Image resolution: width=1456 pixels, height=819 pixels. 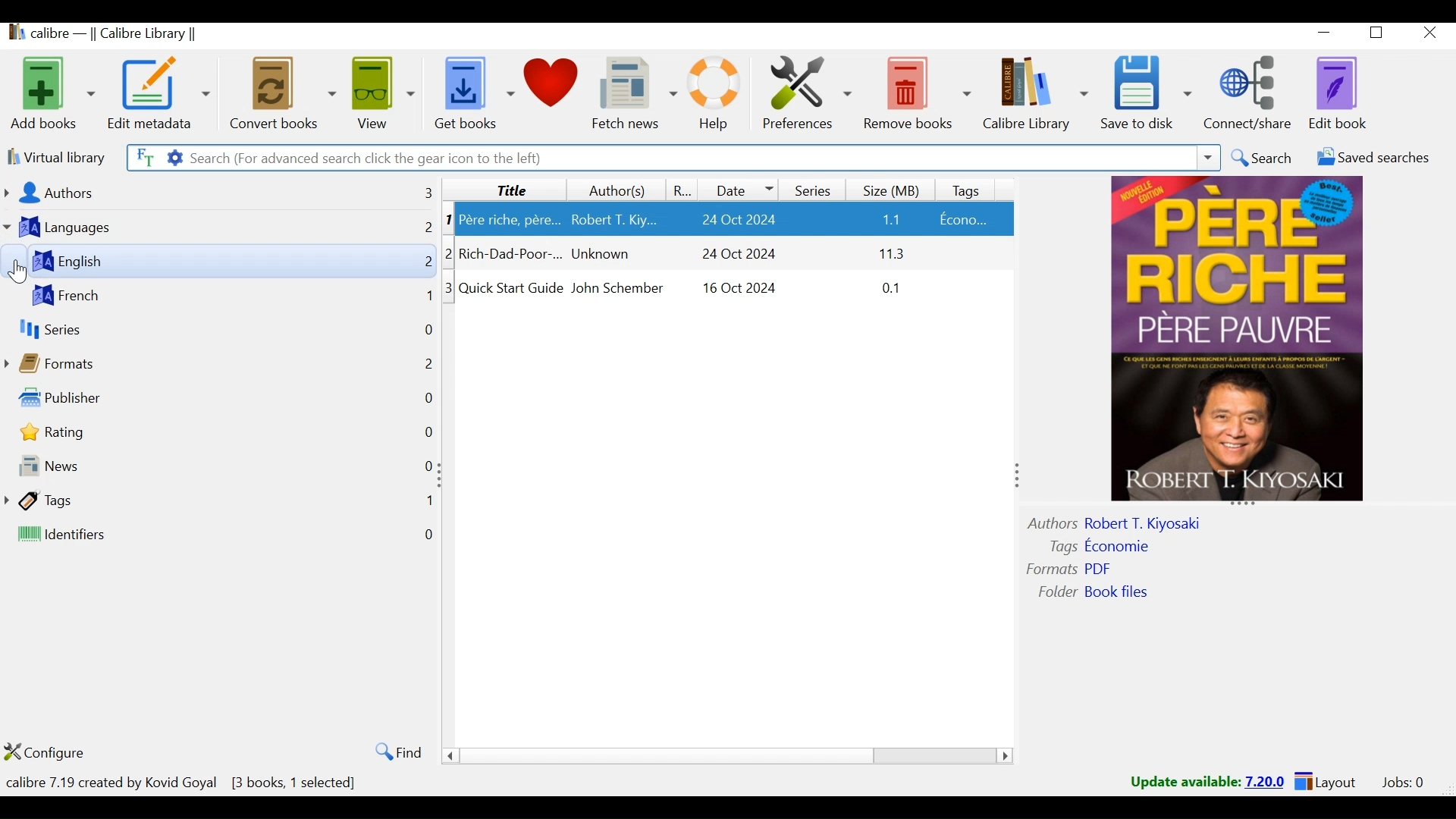 I want to click on English, so click(x=147, y=260).